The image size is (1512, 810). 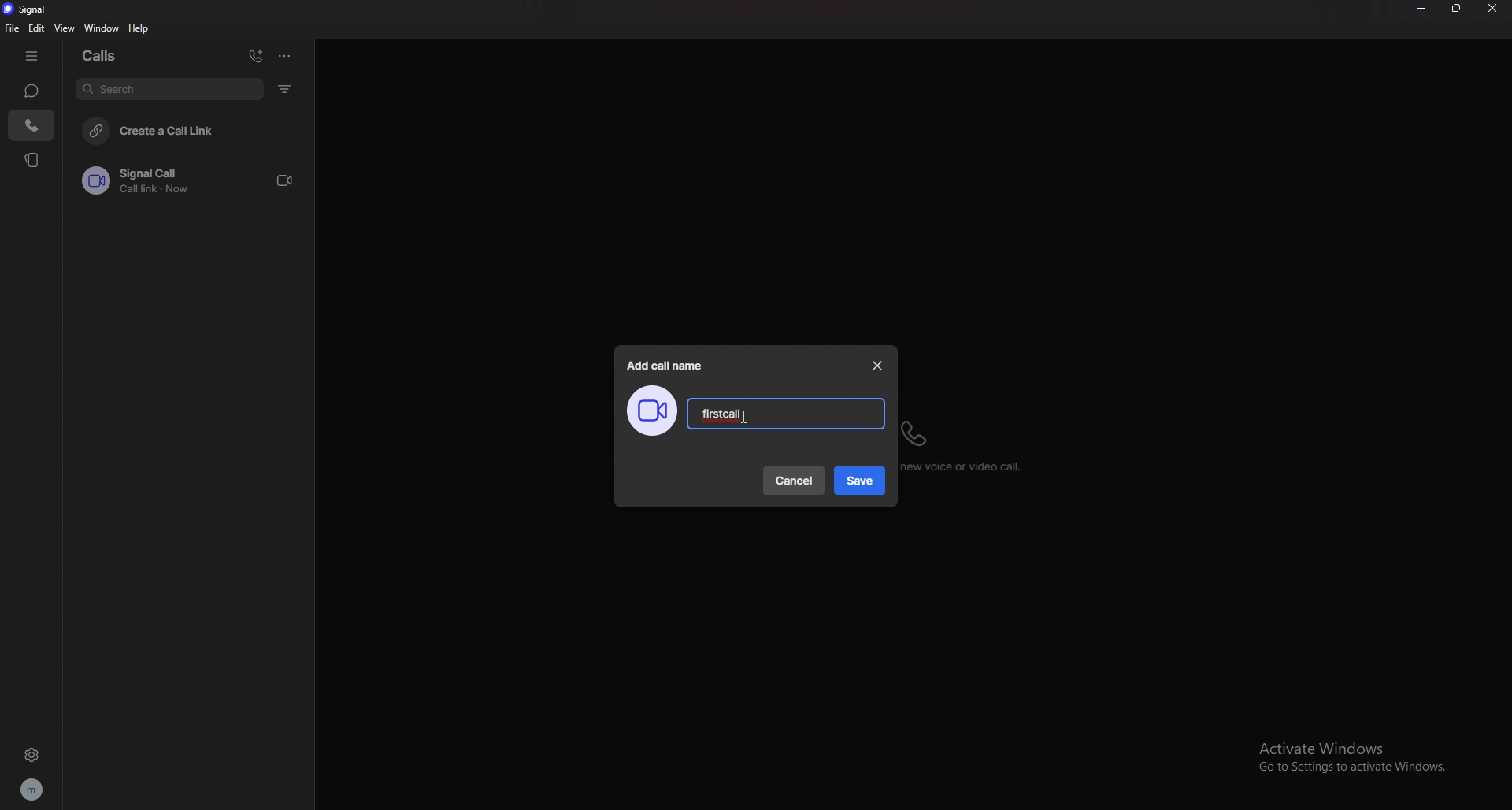 What do you see at coordinates (1456, 9) in the screenshot?
I see `resize` at bounding box center [1456, 9].